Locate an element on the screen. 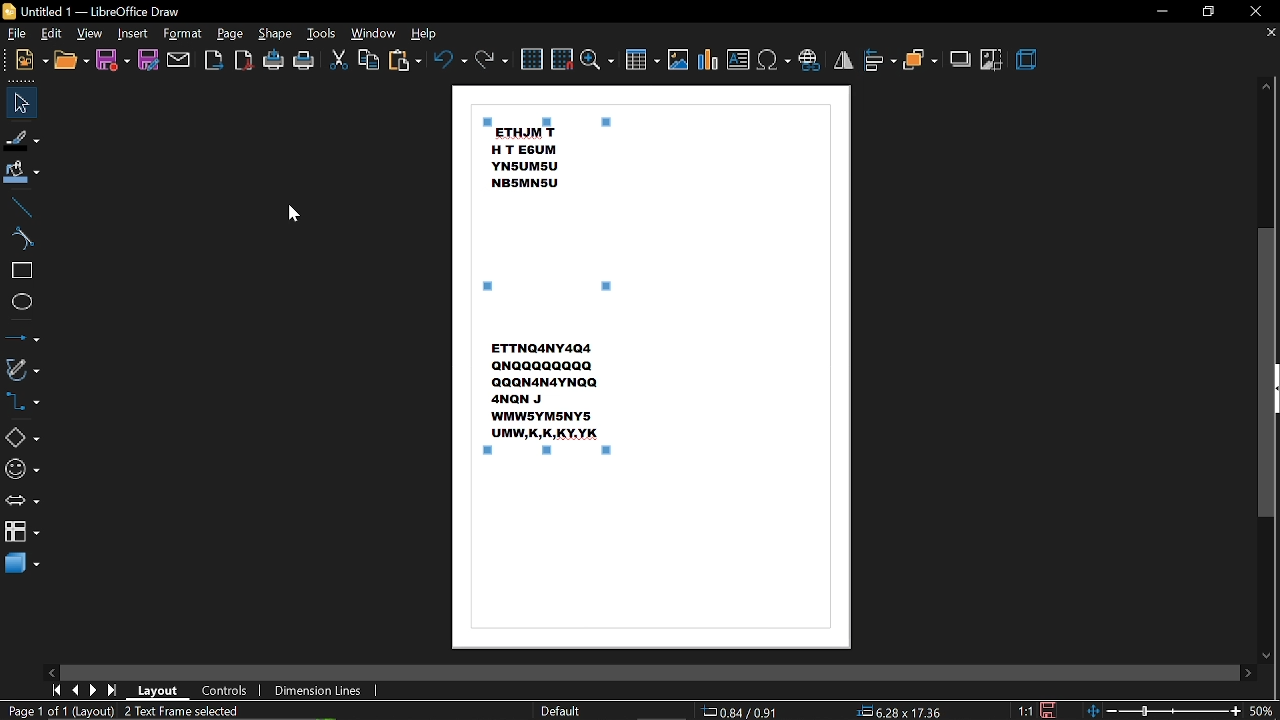 The height and width of the screenshot is (720, 1280). Untitled 1 -  LibreOffice Draw is located at coordinates (92, 10).